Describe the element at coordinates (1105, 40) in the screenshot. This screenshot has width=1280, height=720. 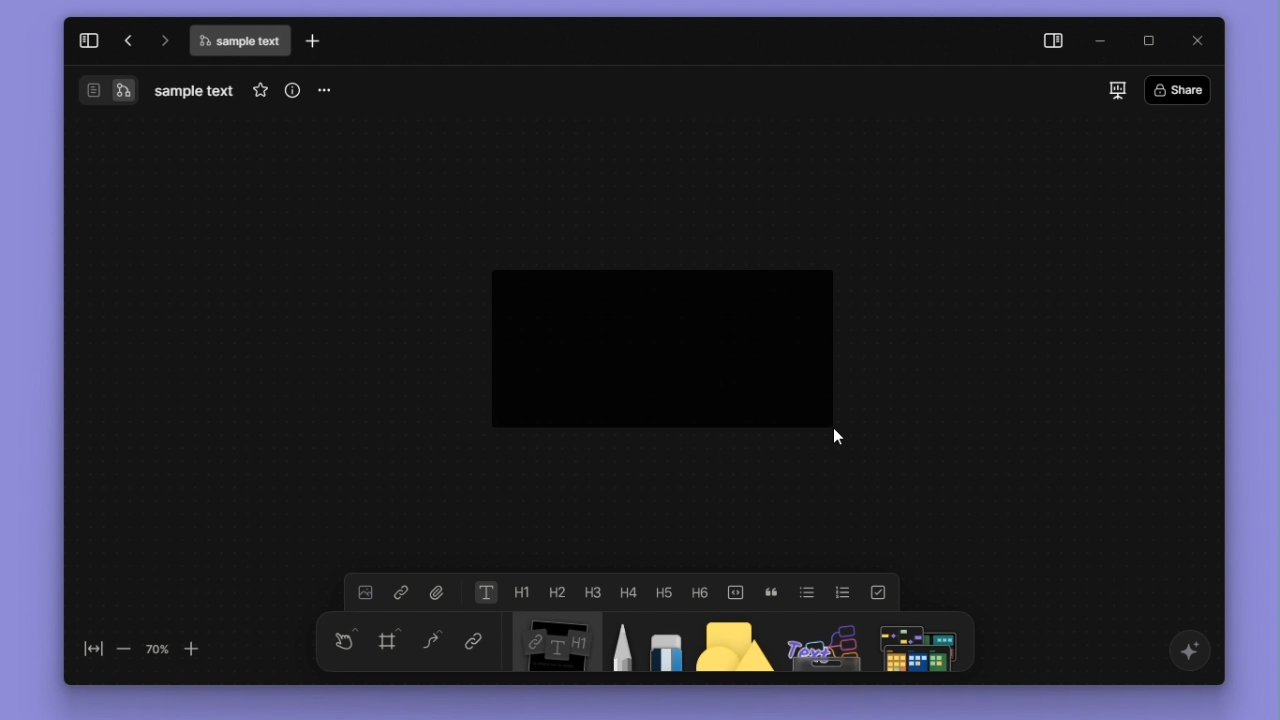
I see `minimize` at that location.